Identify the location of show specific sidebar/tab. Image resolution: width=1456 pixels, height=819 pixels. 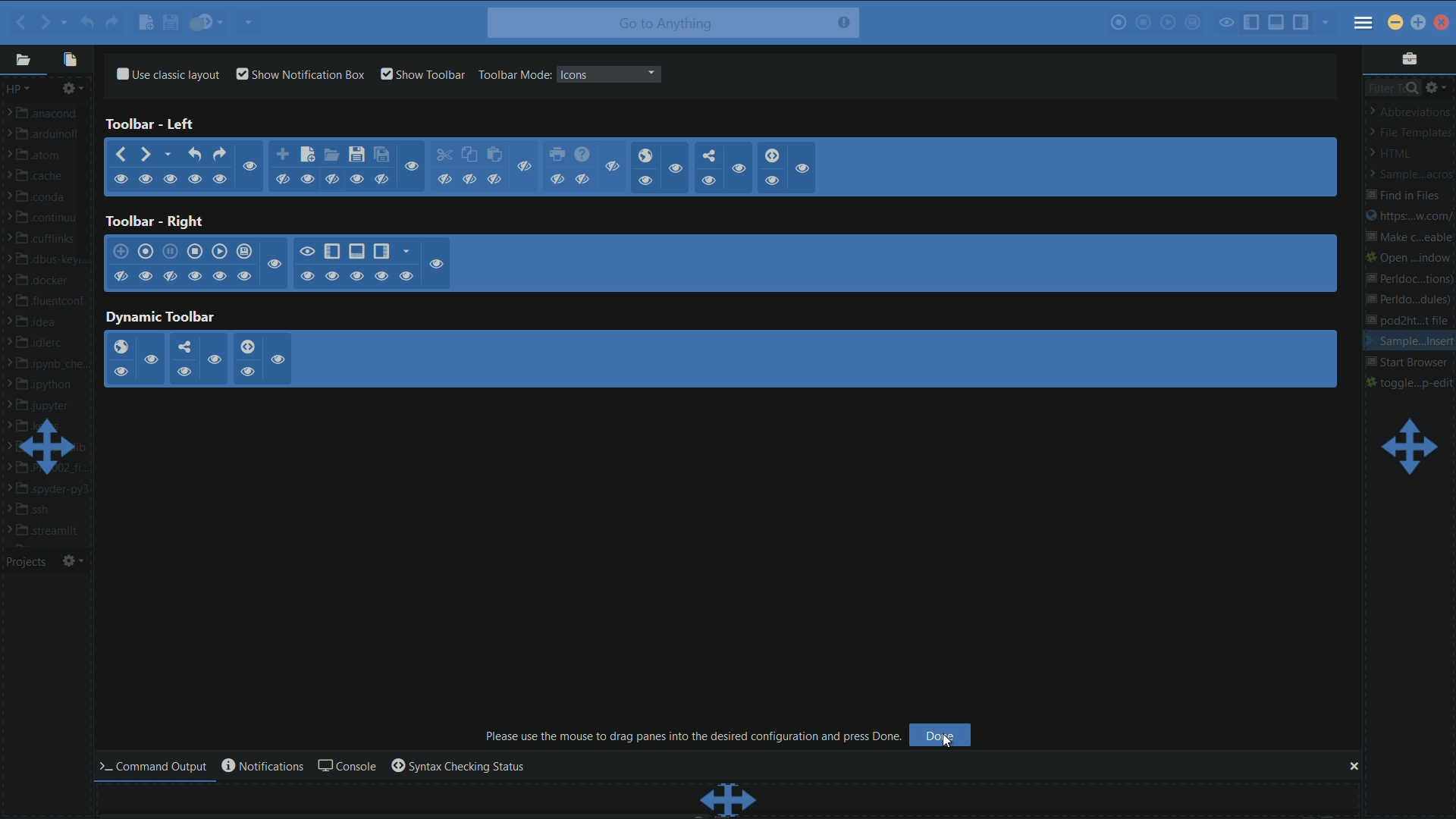
(407, 252).